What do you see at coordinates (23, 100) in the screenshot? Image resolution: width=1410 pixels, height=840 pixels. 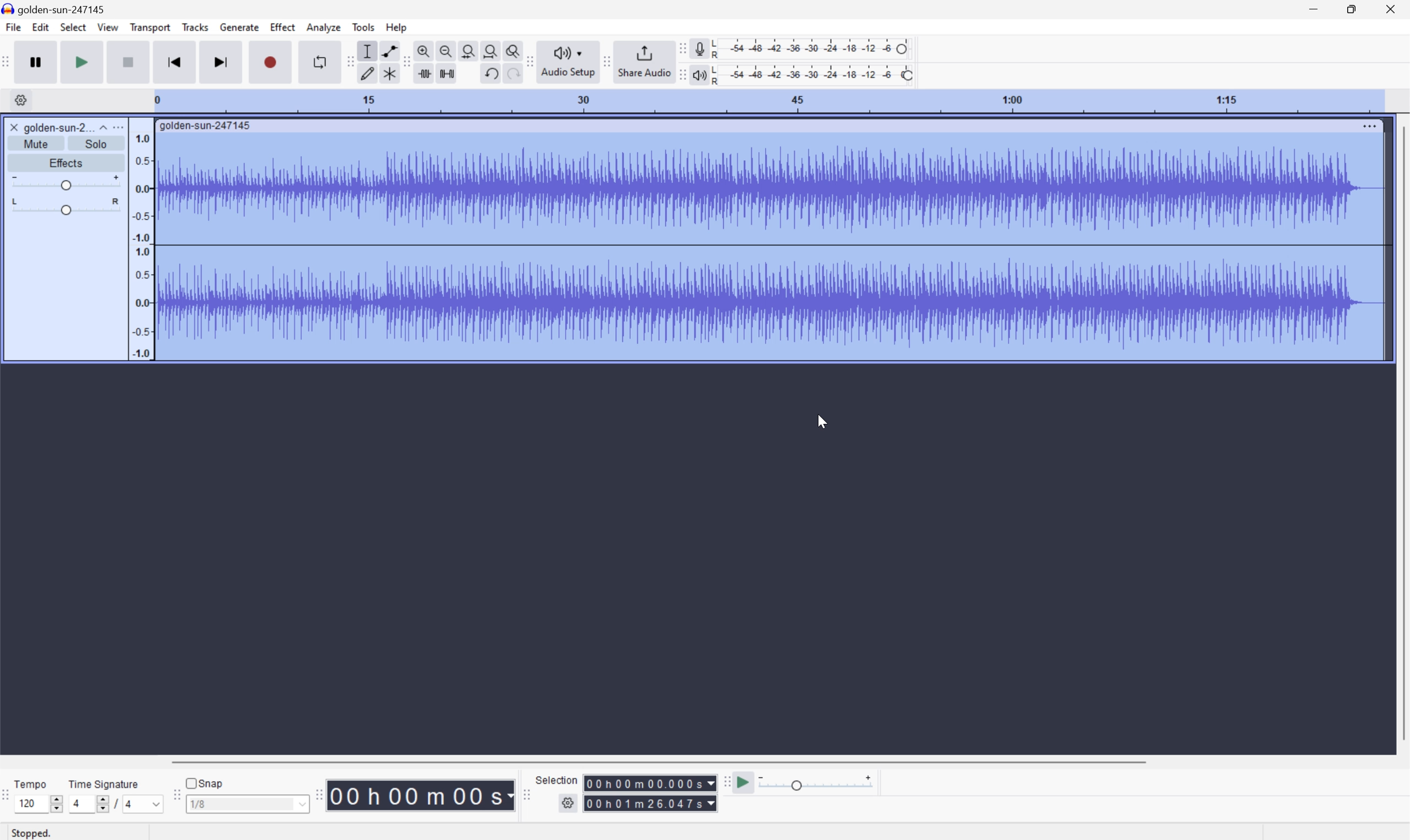 I see `Settings` at bounding box center [23, 100].